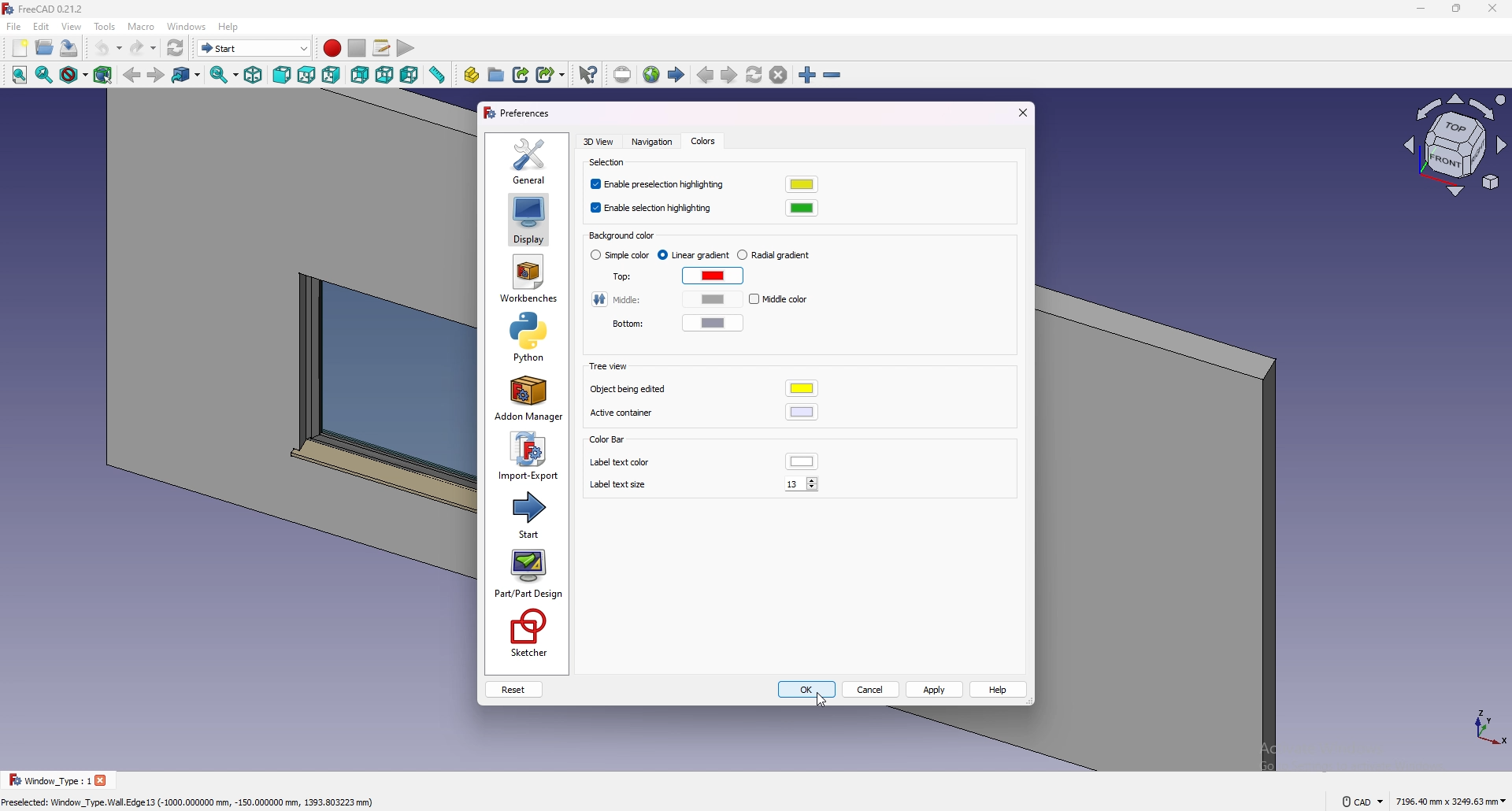 This screenshot has height=811, width=1512. Describe the element at coordinates (513, 690) in the screenshot. I see `reset` at that location.